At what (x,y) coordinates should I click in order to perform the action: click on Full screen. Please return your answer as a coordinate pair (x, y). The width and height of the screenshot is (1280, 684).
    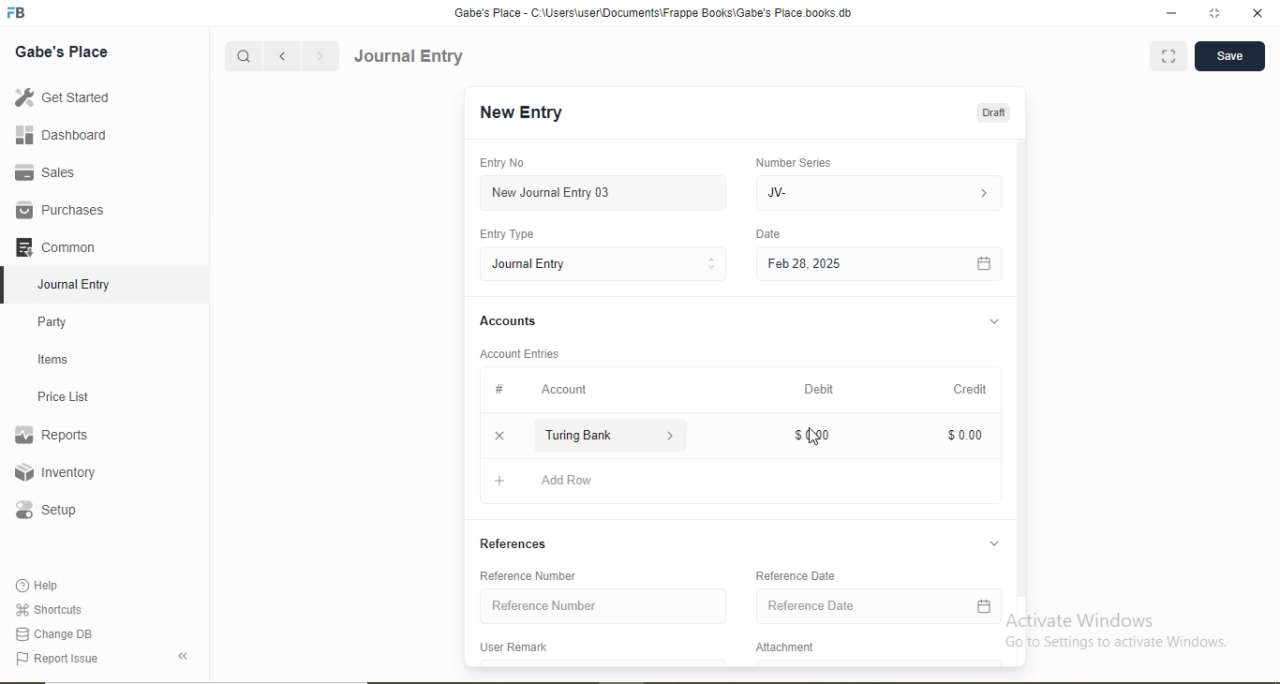
    Looking at the image, I should click on (1169, 55).